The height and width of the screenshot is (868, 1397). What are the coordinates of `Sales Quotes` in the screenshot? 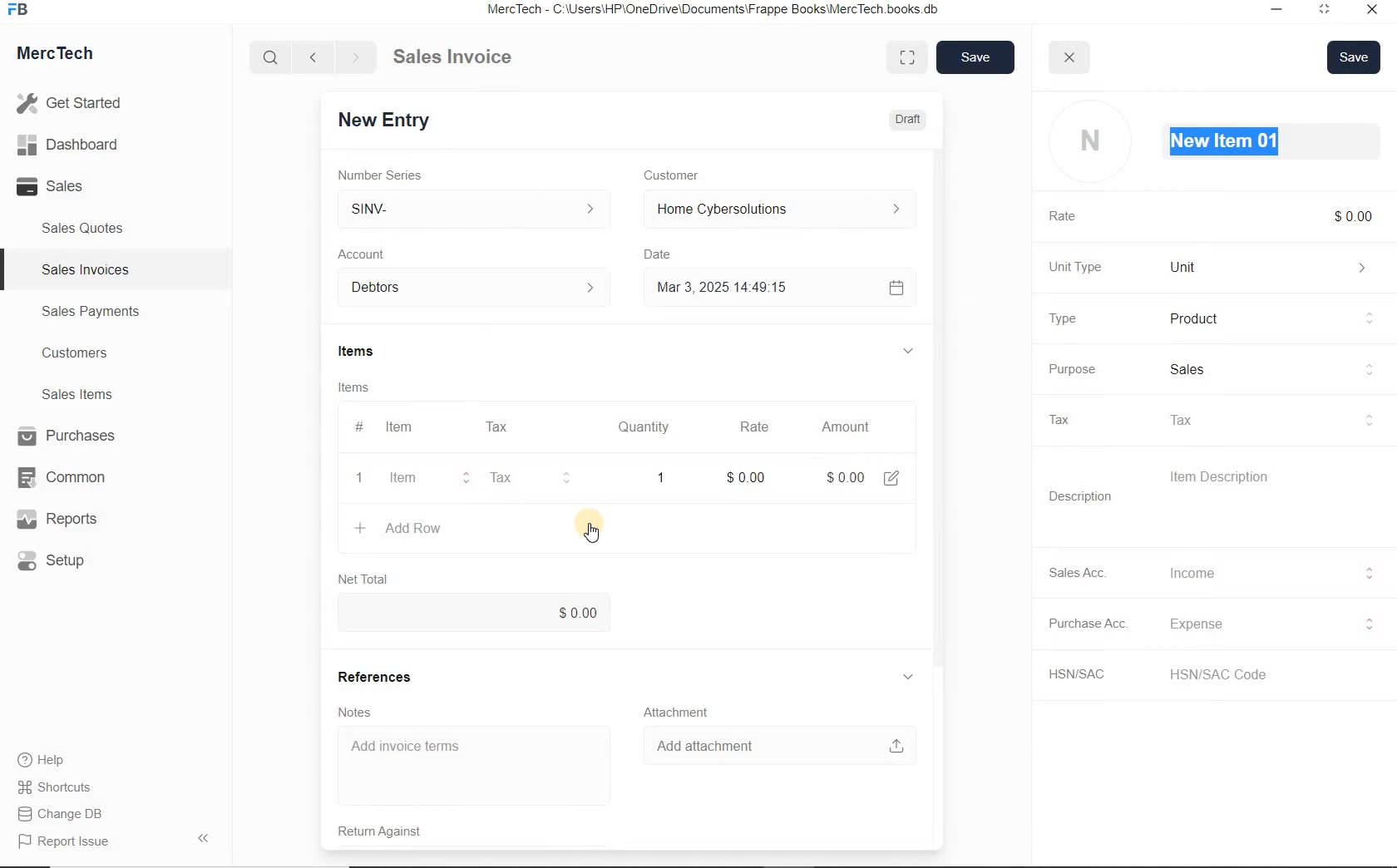 It's located at (86, 228).